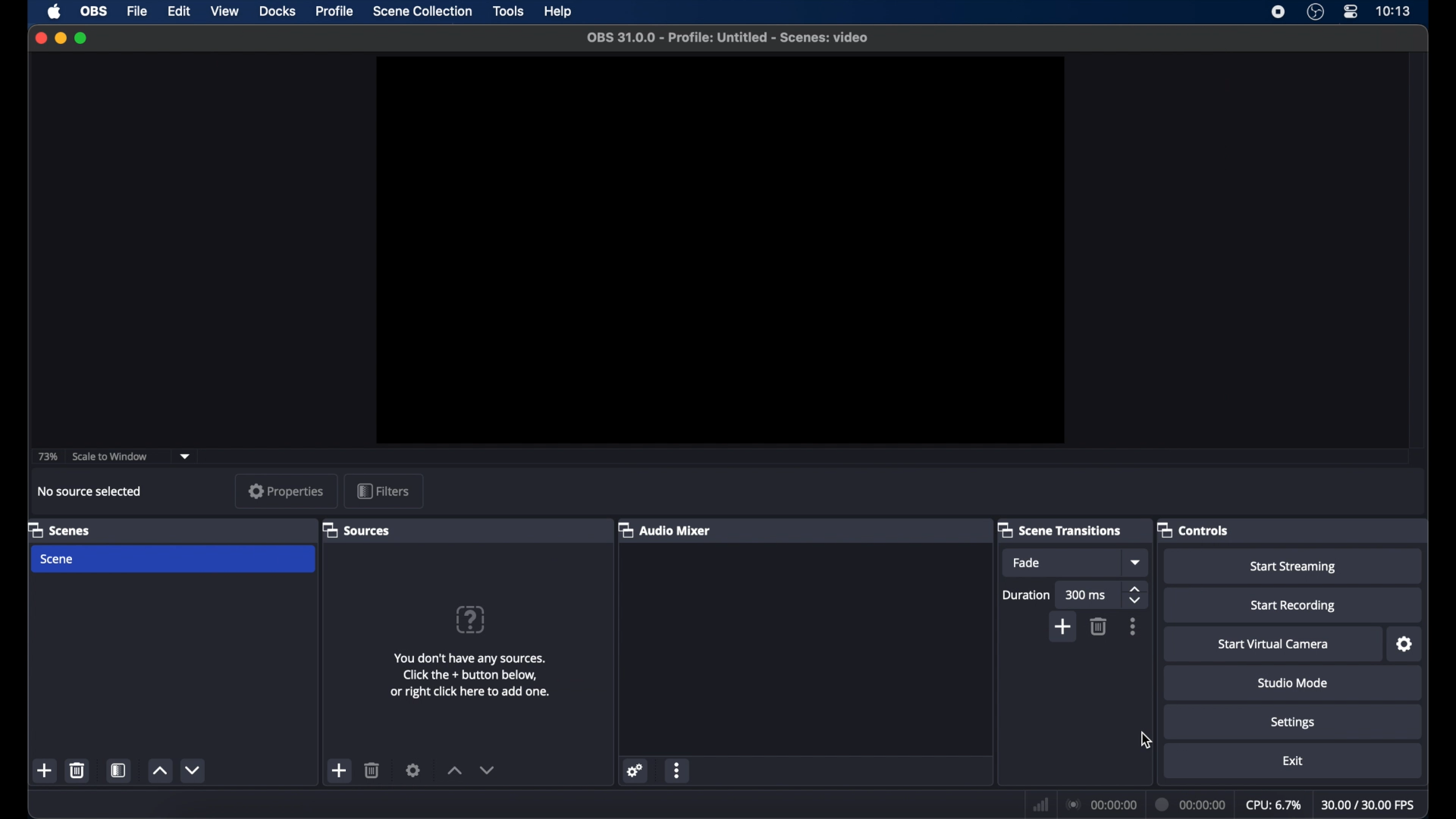  What do you see at coordinates (382, 491) in the screenshot?
I see `filters` at bounding box center [382, 491].